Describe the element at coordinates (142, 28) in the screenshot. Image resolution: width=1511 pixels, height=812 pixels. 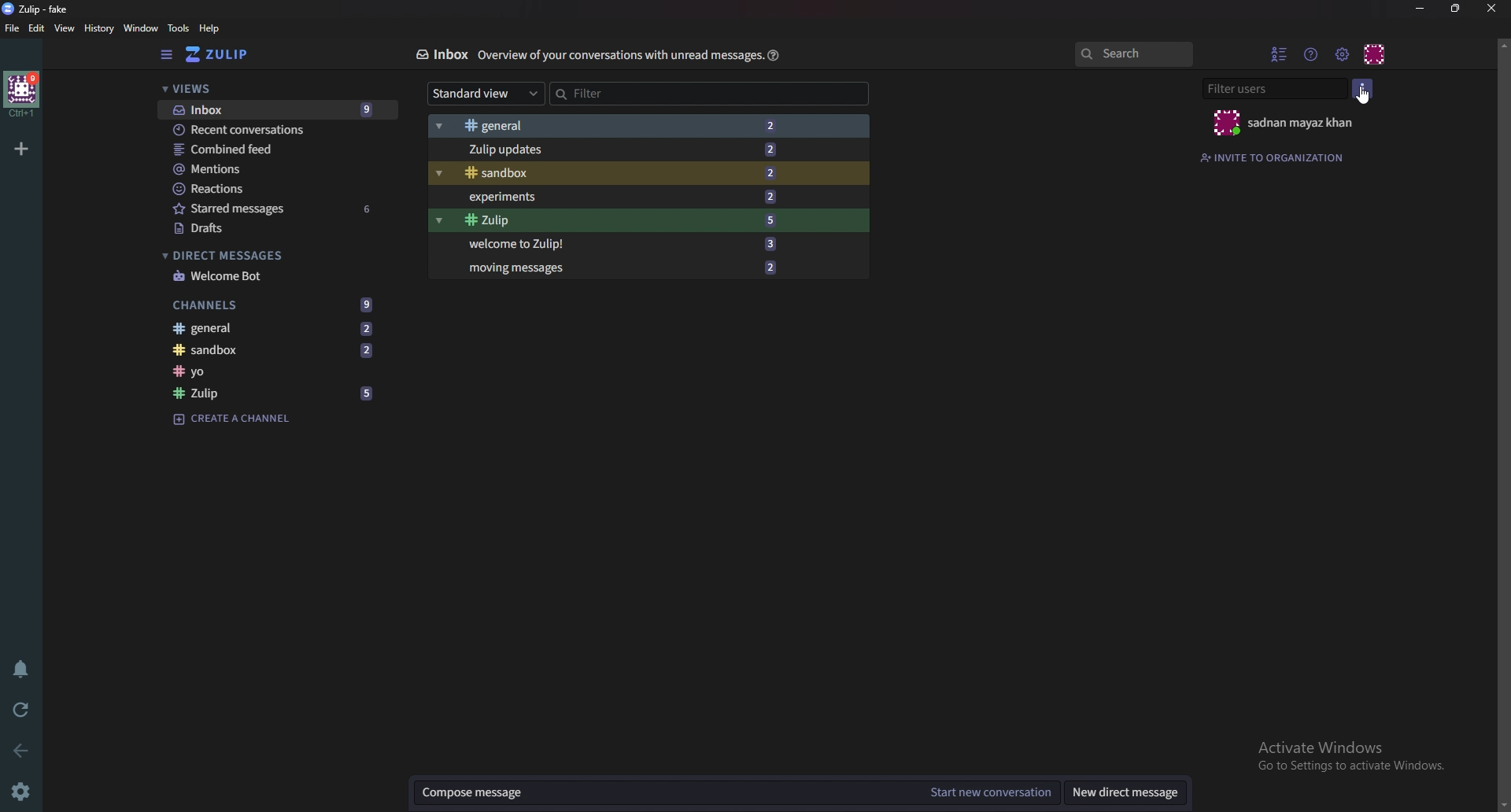
I see `Window` at that location.